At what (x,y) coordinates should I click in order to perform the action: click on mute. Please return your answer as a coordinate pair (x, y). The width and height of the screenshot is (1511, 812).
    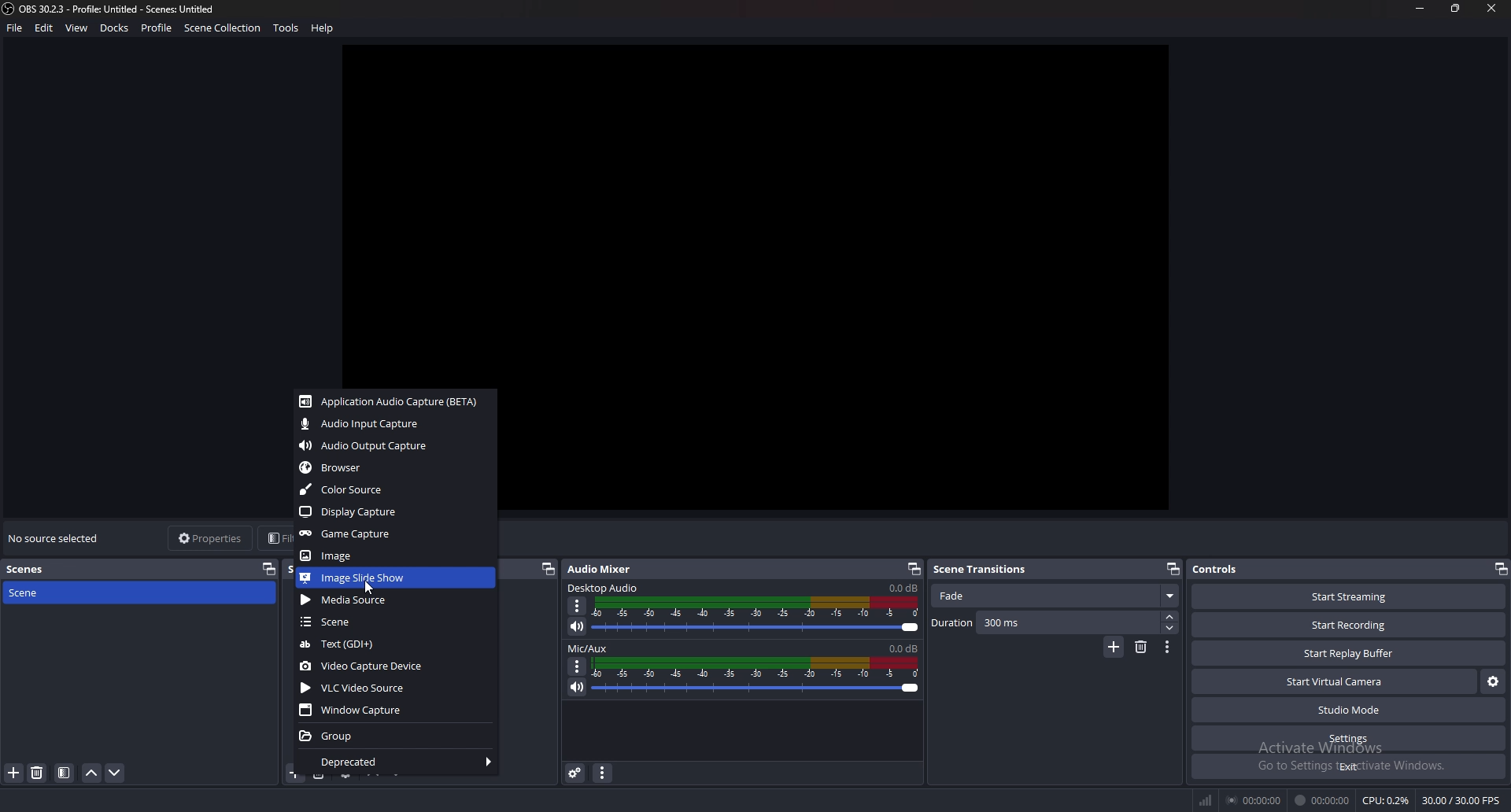
    Looking at the image, I should click on (577, 626).